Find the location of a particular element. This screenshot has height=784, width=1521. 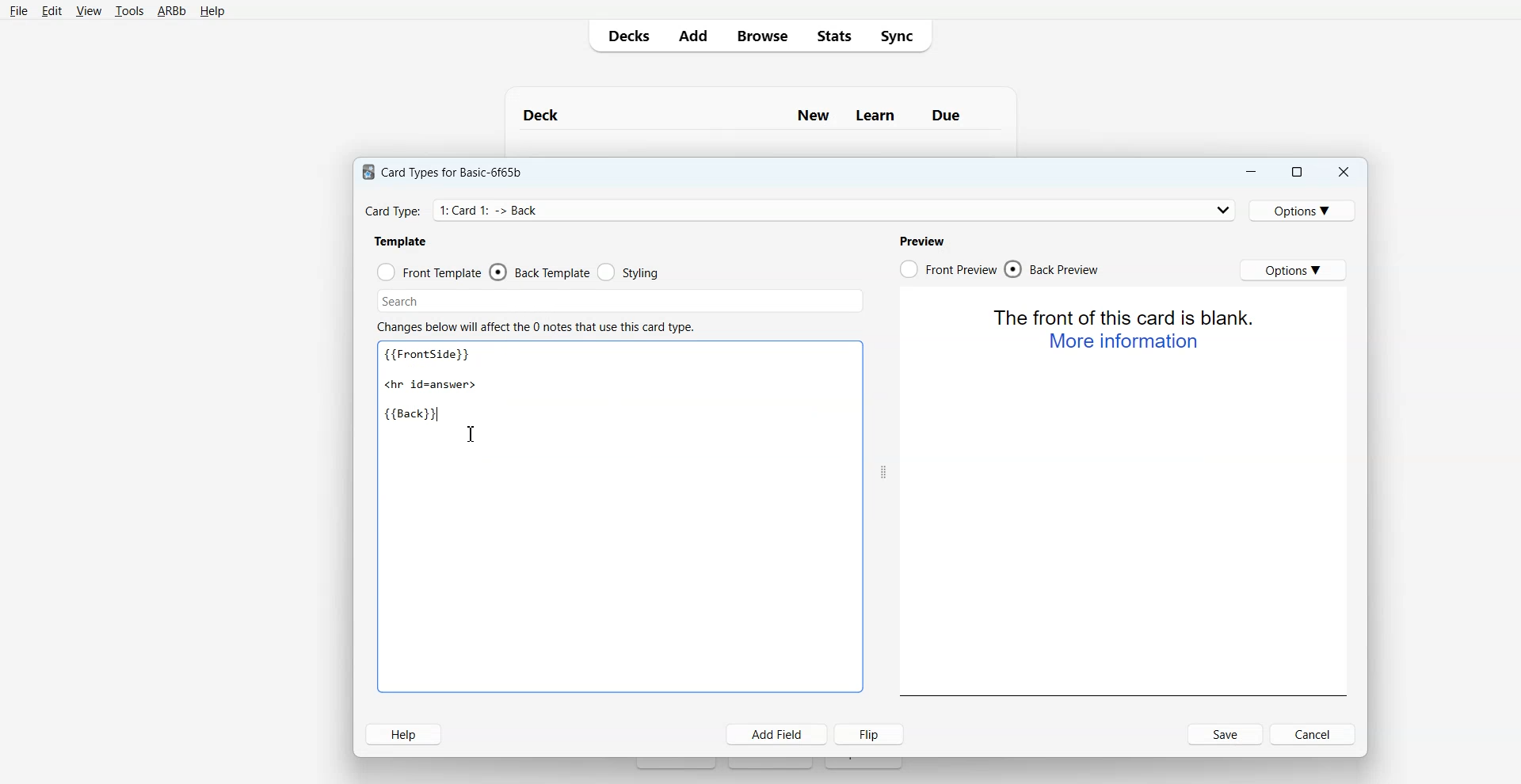

Edit is located at coordinates (51, 10).